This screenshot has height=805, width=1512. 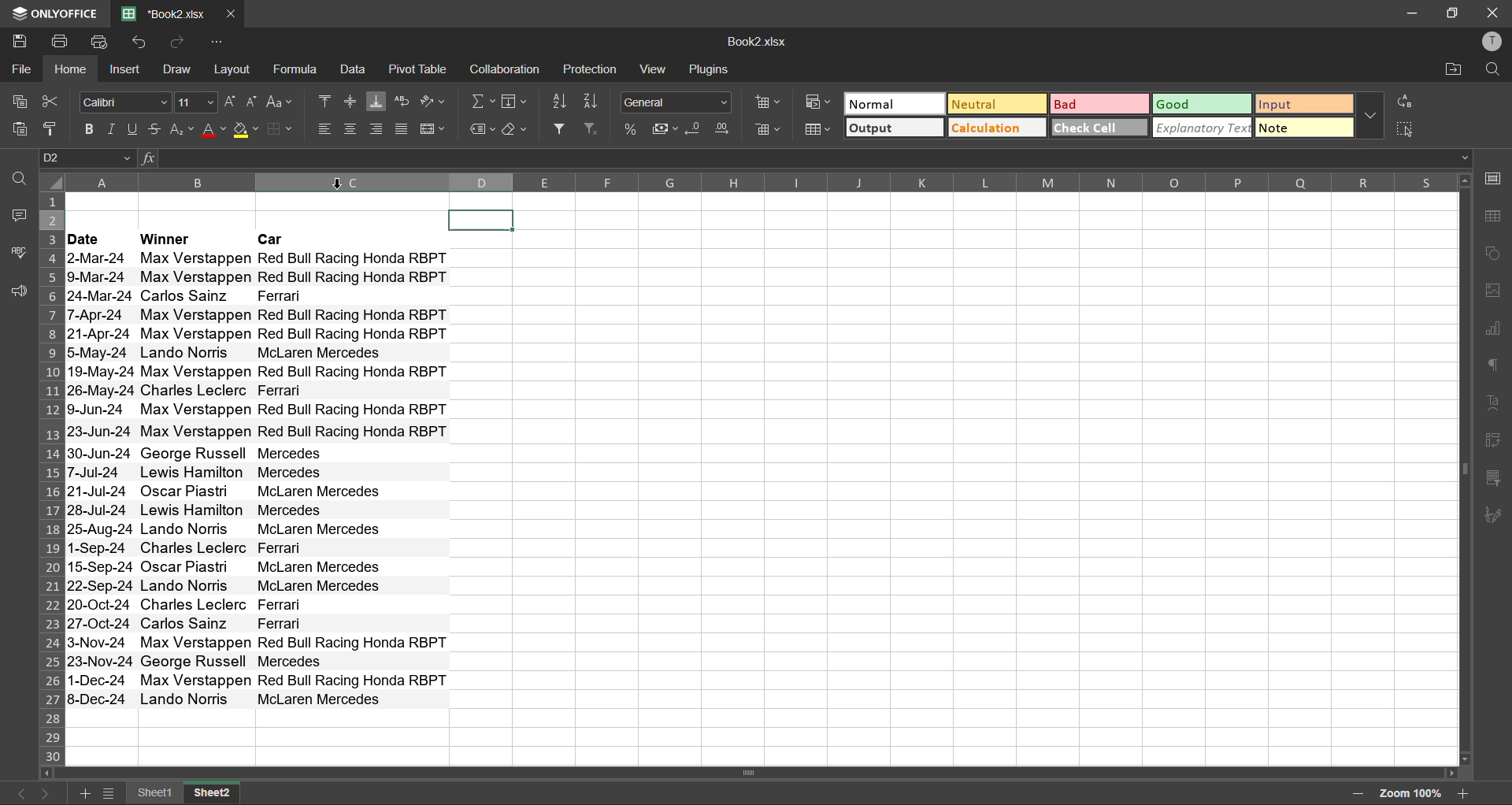 I want to click on minimize, so click(x=1407, y=13).